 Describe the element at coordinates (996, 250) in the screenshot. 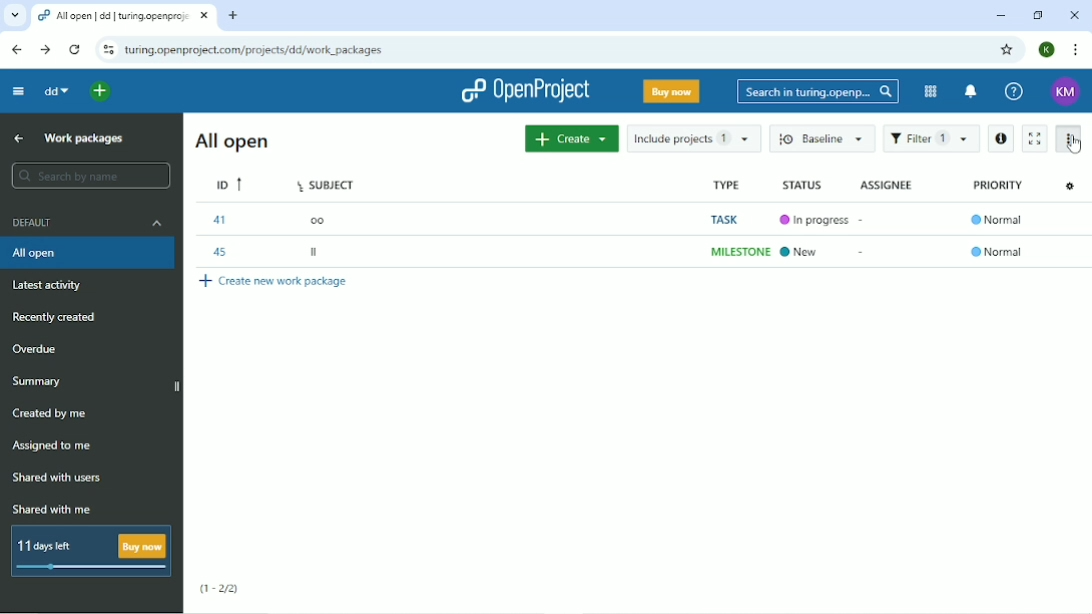

I see `Normal` at that location.